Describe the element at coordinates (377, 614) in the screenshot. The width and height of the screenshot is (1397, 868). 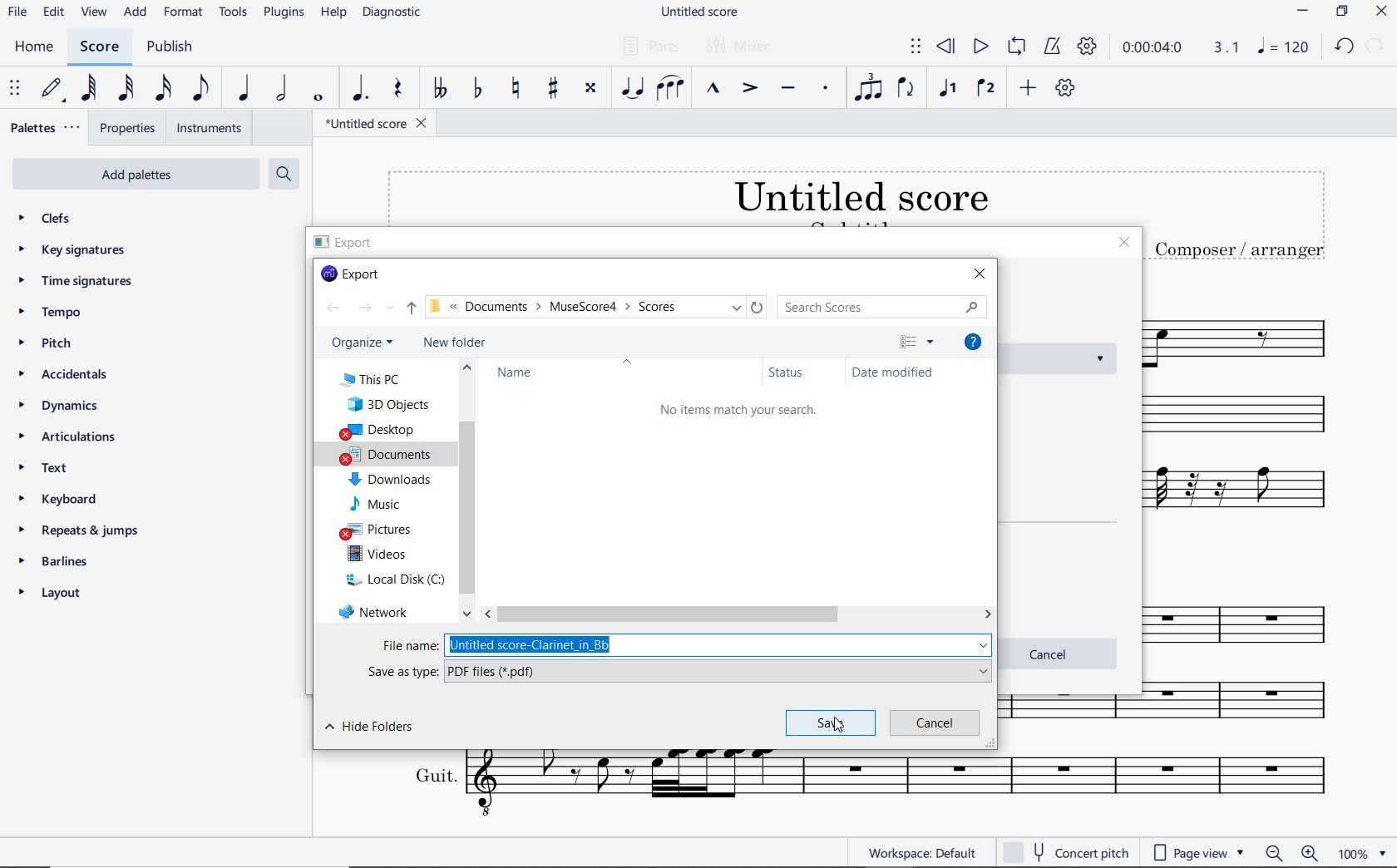
I see `network` at that location.